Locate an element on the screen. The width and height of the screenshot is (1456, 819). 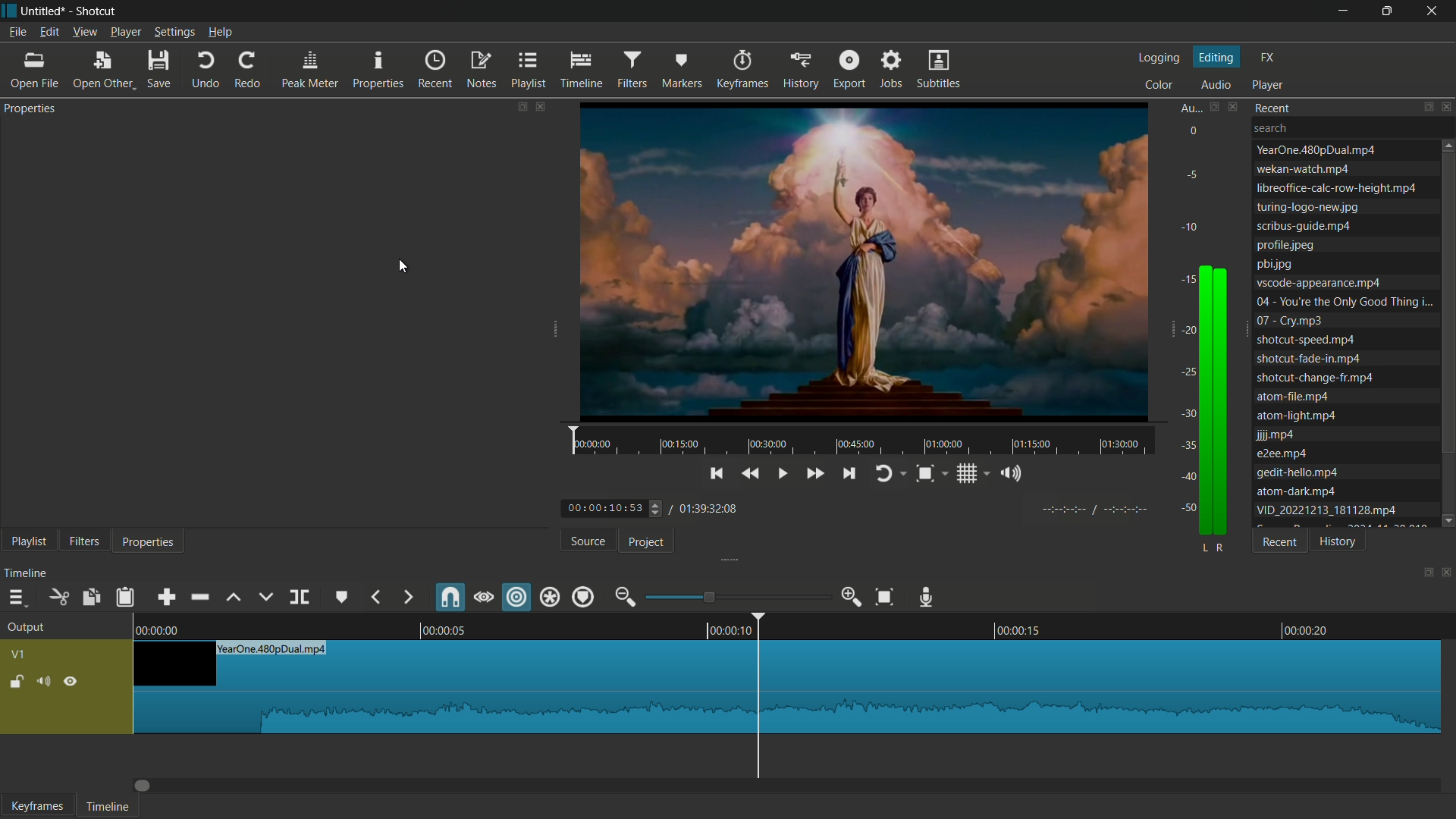
file-7 is located at coordinates (1276, 264).